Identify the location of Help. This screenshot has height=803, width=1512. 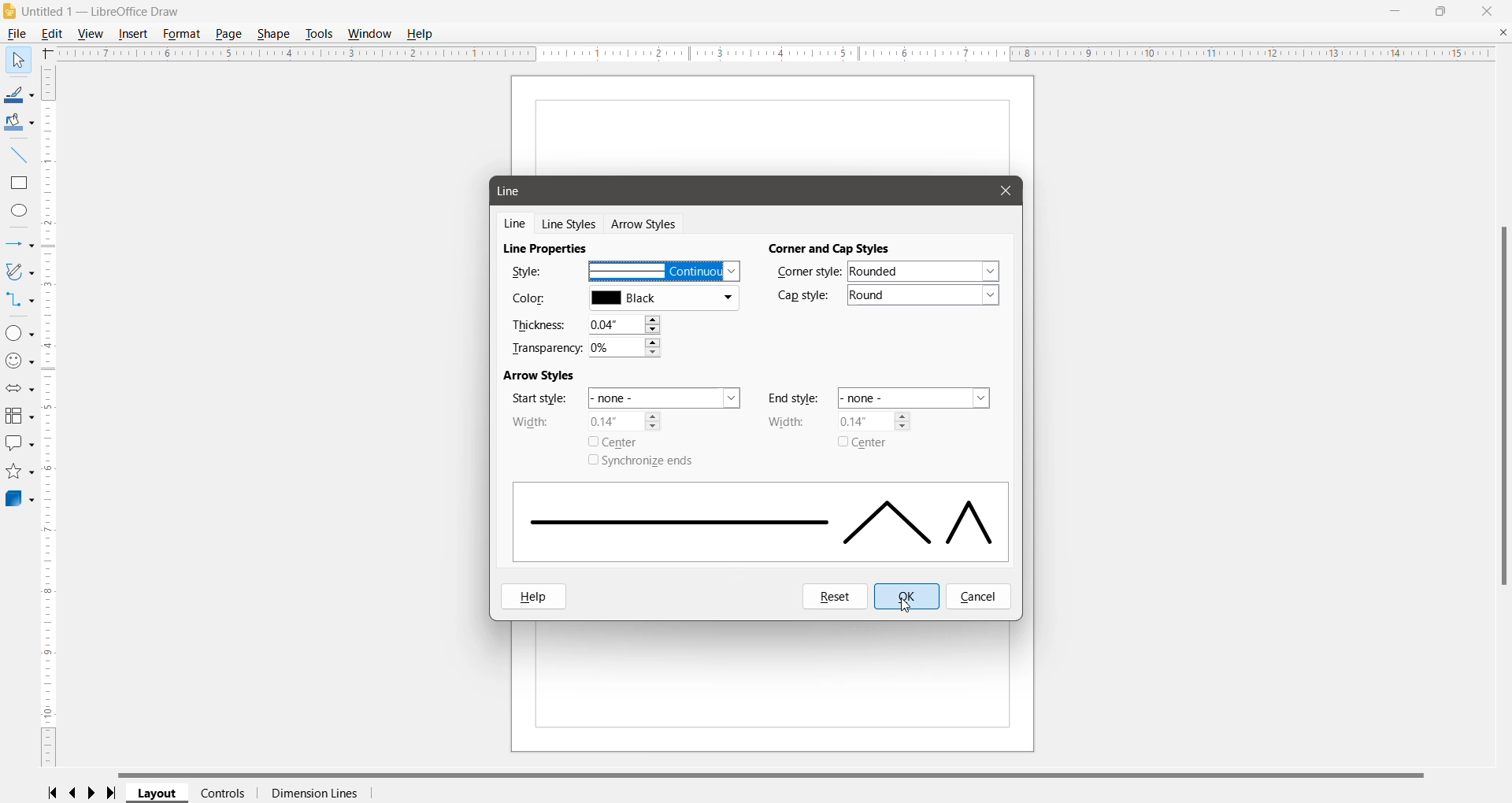
(535, 597).